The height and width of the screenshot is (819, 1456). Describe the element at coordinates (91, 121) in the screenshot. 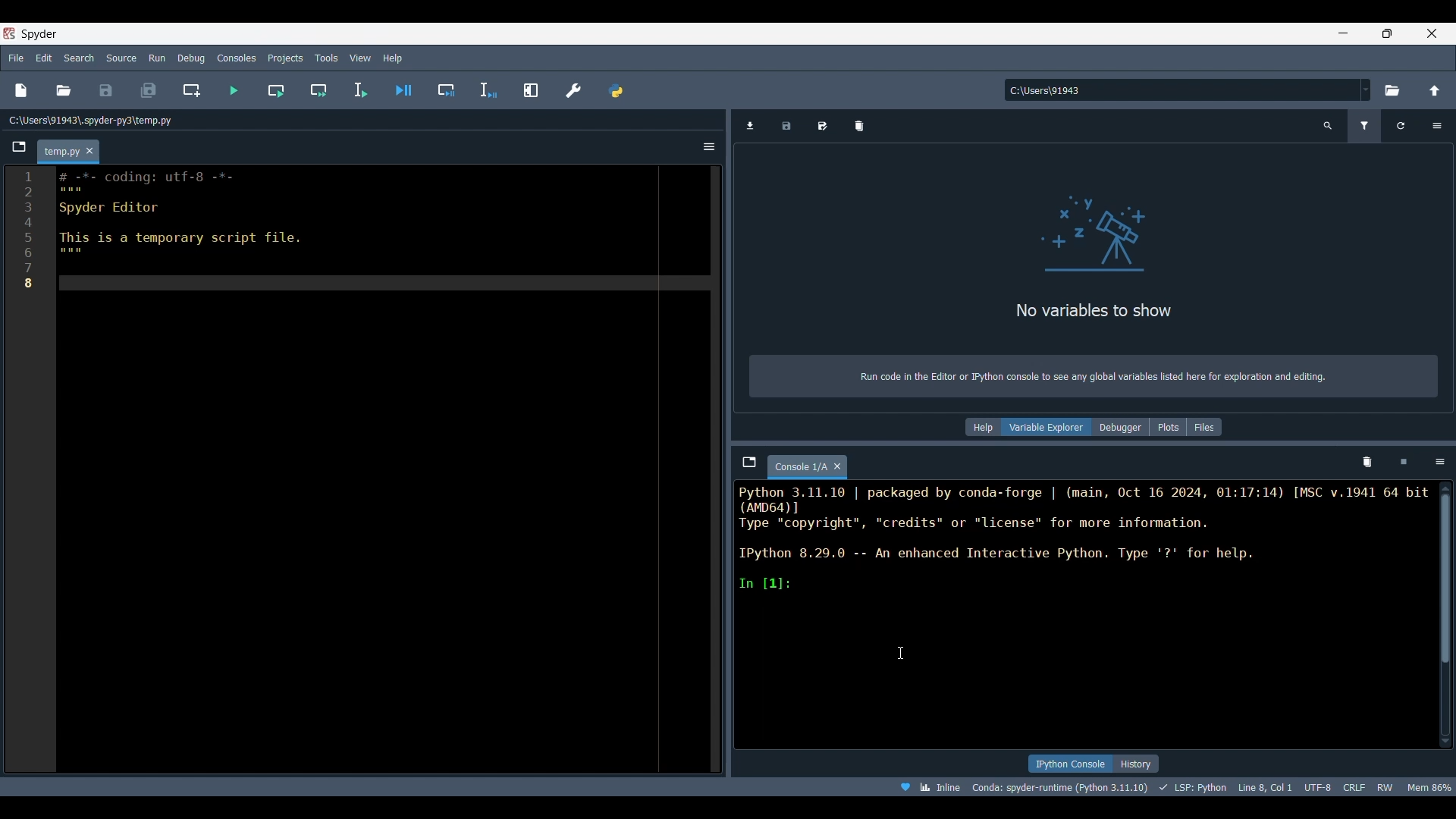

I see `Location of current file` at that location.